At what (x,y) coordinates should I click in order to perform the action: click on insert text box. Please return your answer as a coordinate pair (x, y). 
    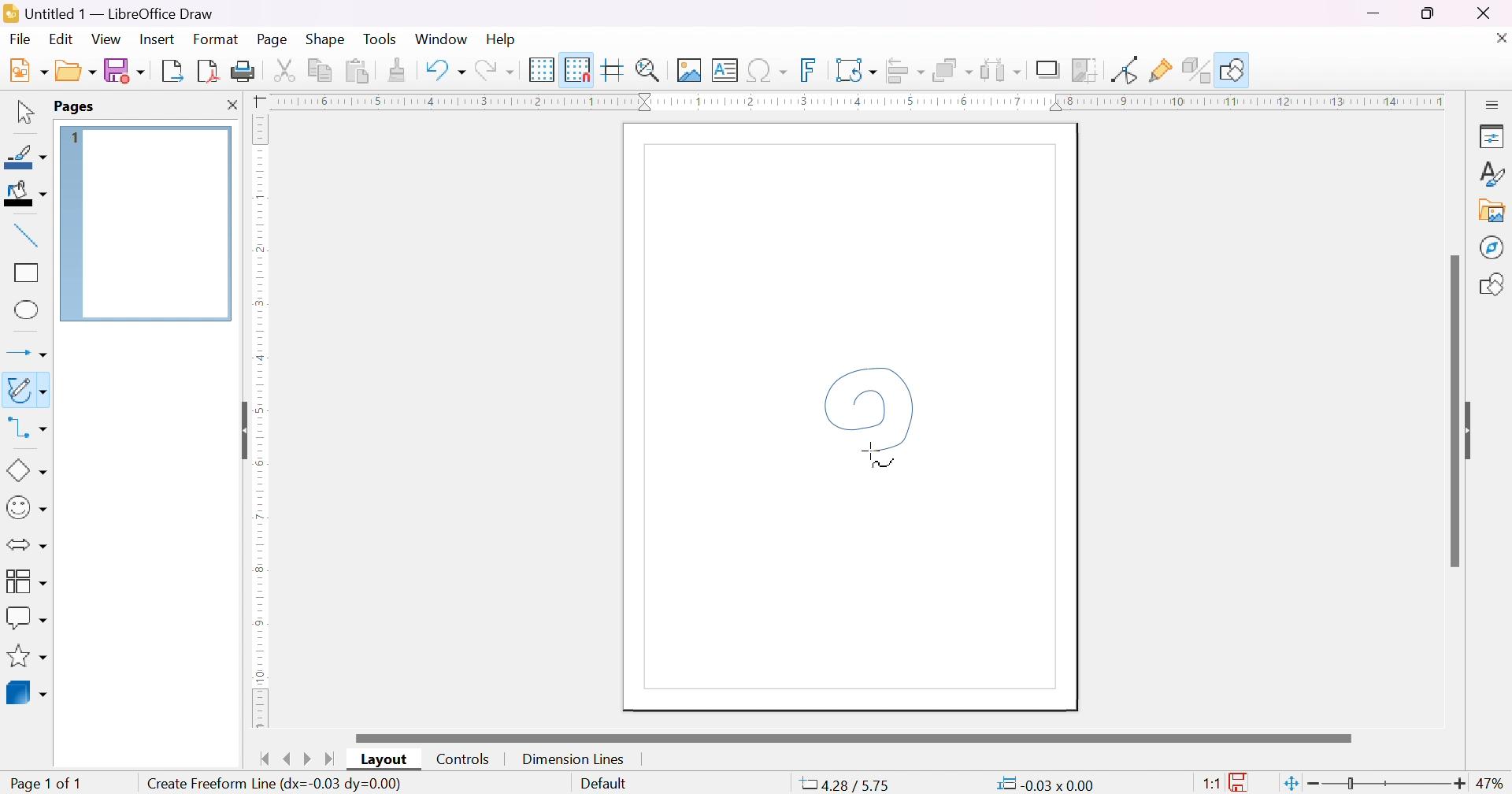
    Looking at the image, I should click on (724, 70).